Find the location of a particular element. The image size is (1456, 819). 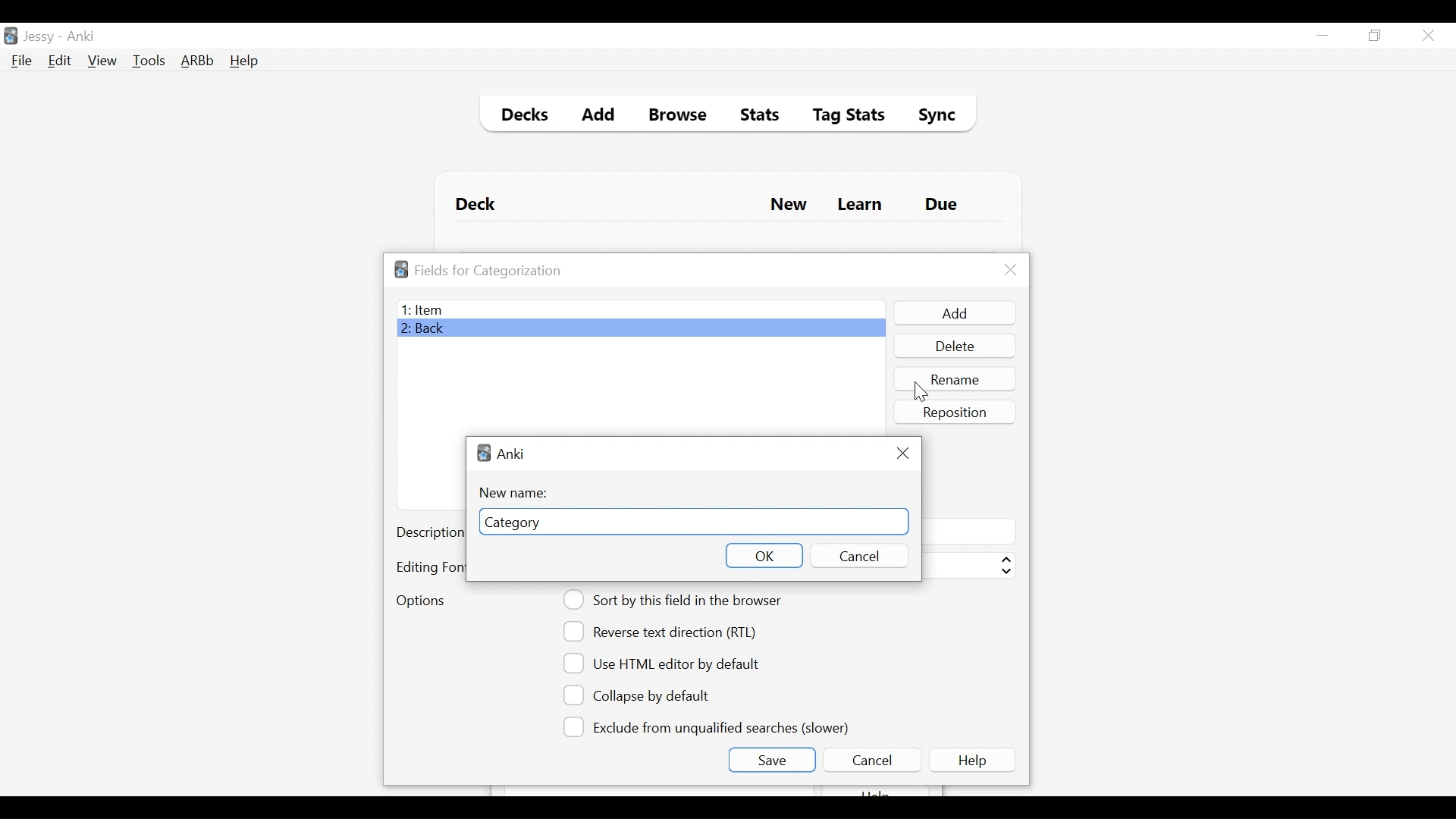

Learn is located at coordinates (859, 206).